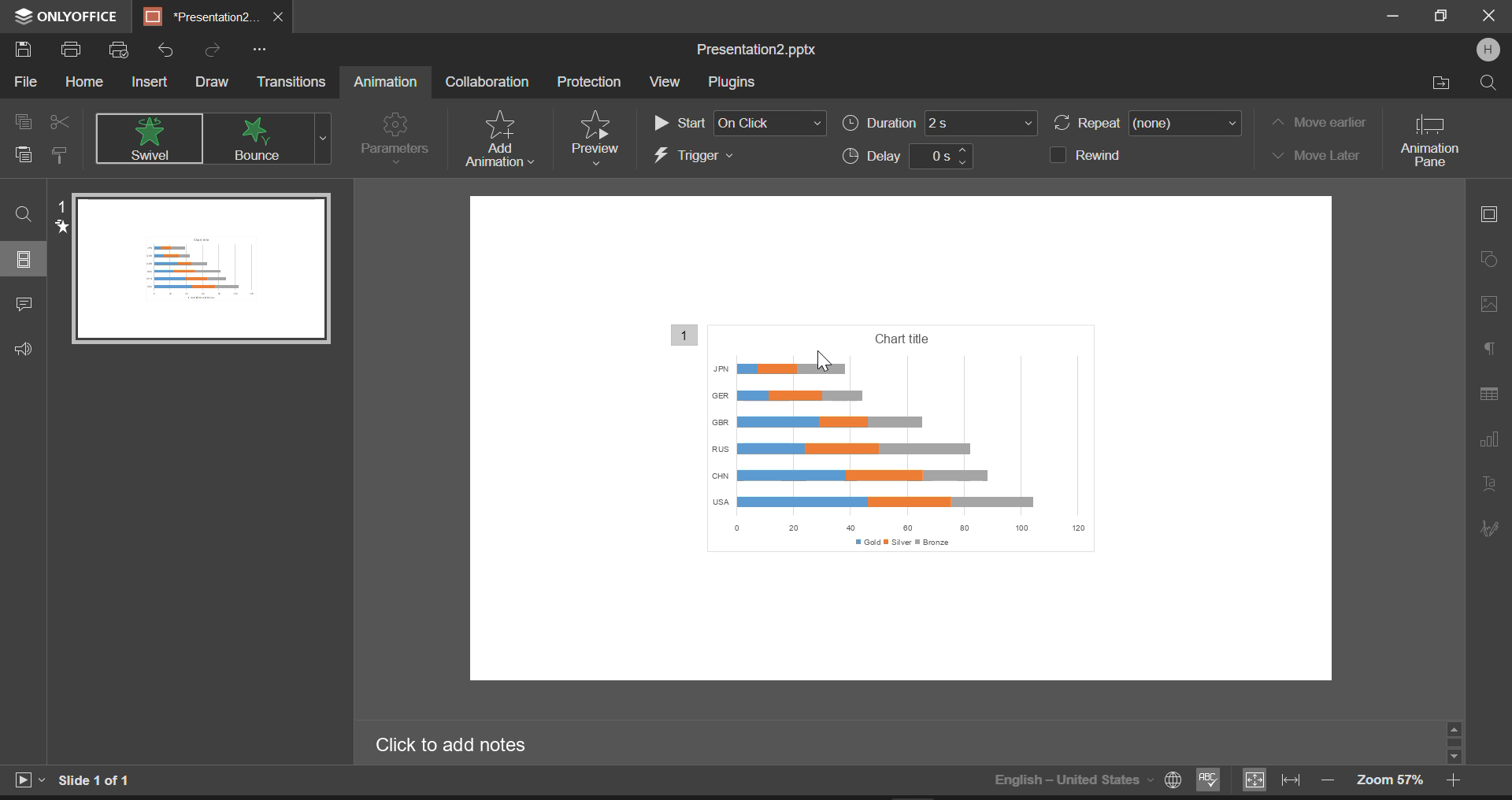 This screenshot has width=1512, height=800. I want to click on Collaboration, so click(487, 82).